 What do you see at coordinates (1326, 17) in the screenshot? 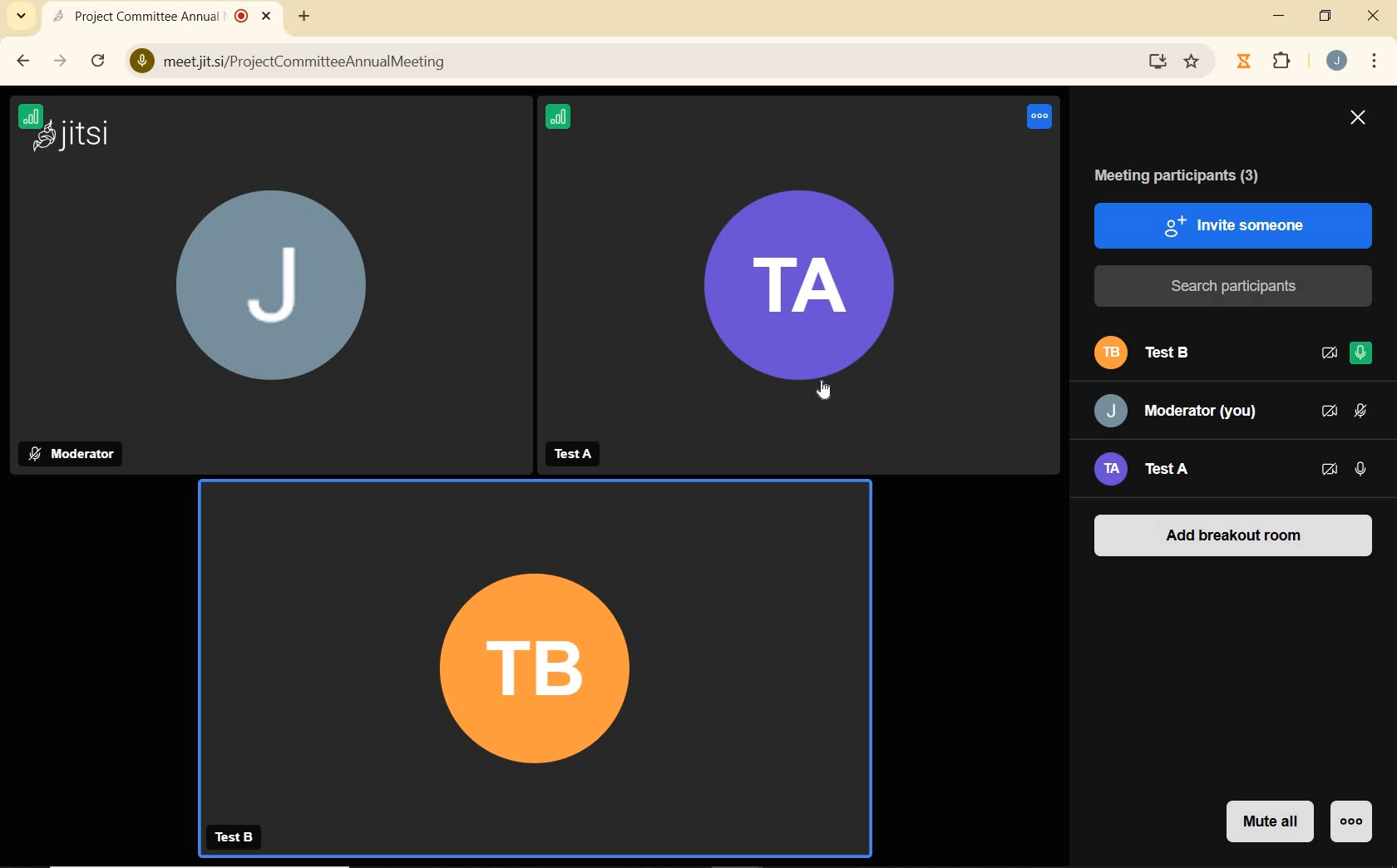
I see `RESTORE DOWN` at bounding box center [1326, 17].